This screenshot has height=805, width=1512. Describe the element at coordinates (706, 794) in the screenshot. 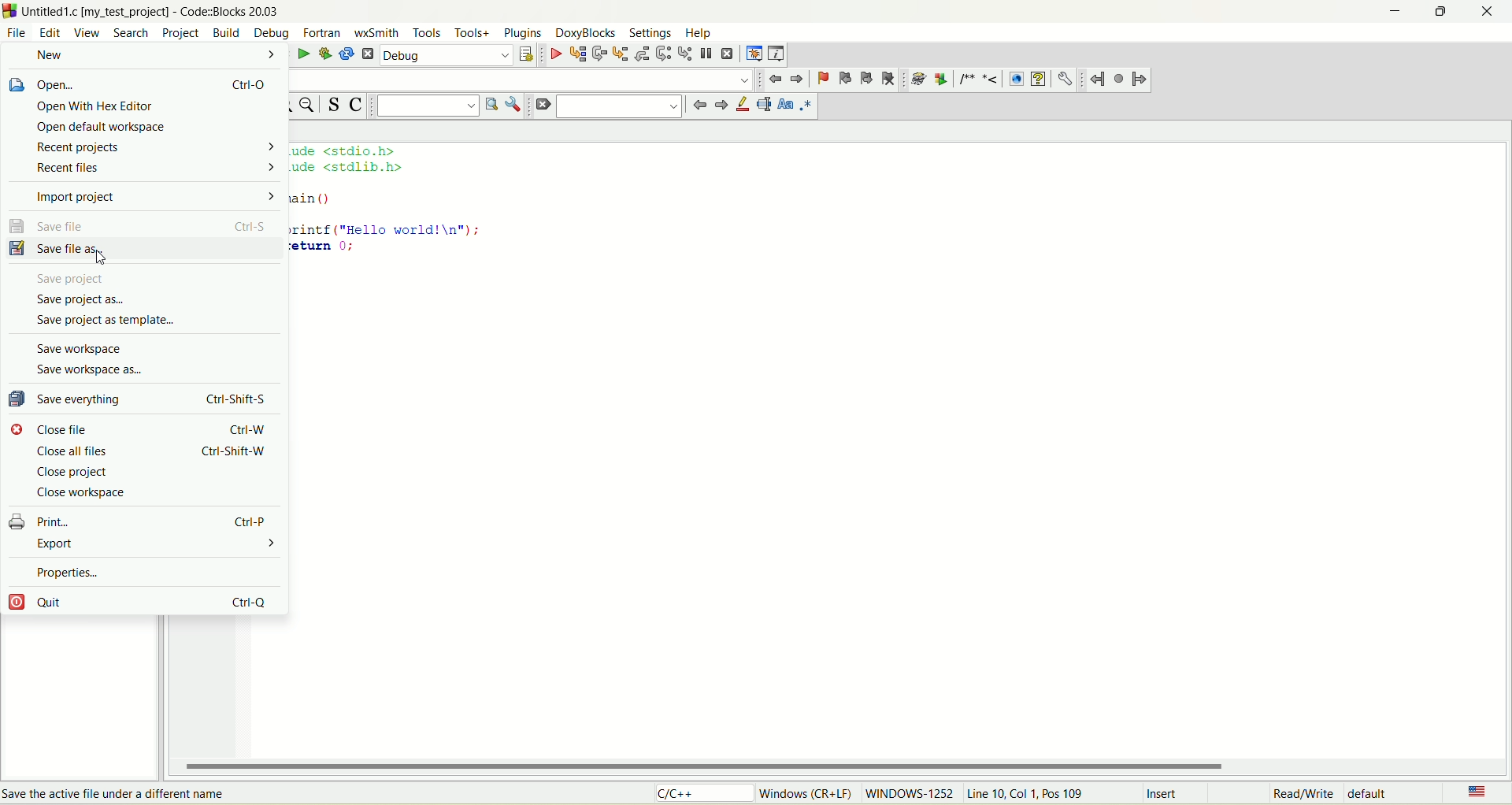

I see `C/C++` at that location.